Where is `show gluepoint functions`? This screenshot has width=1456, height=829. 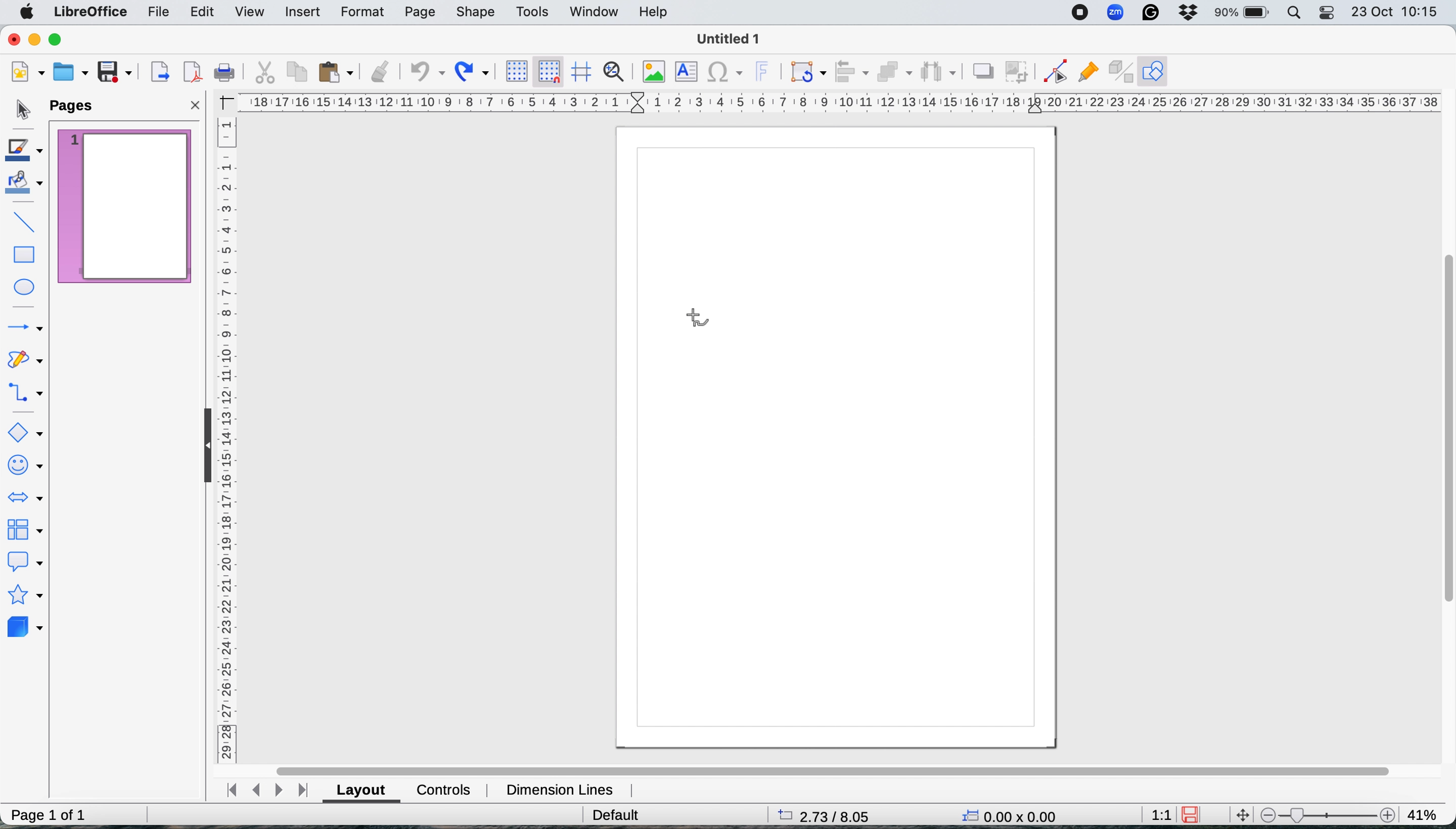 show gluepoint functions is located at coordinates (1088, 71).